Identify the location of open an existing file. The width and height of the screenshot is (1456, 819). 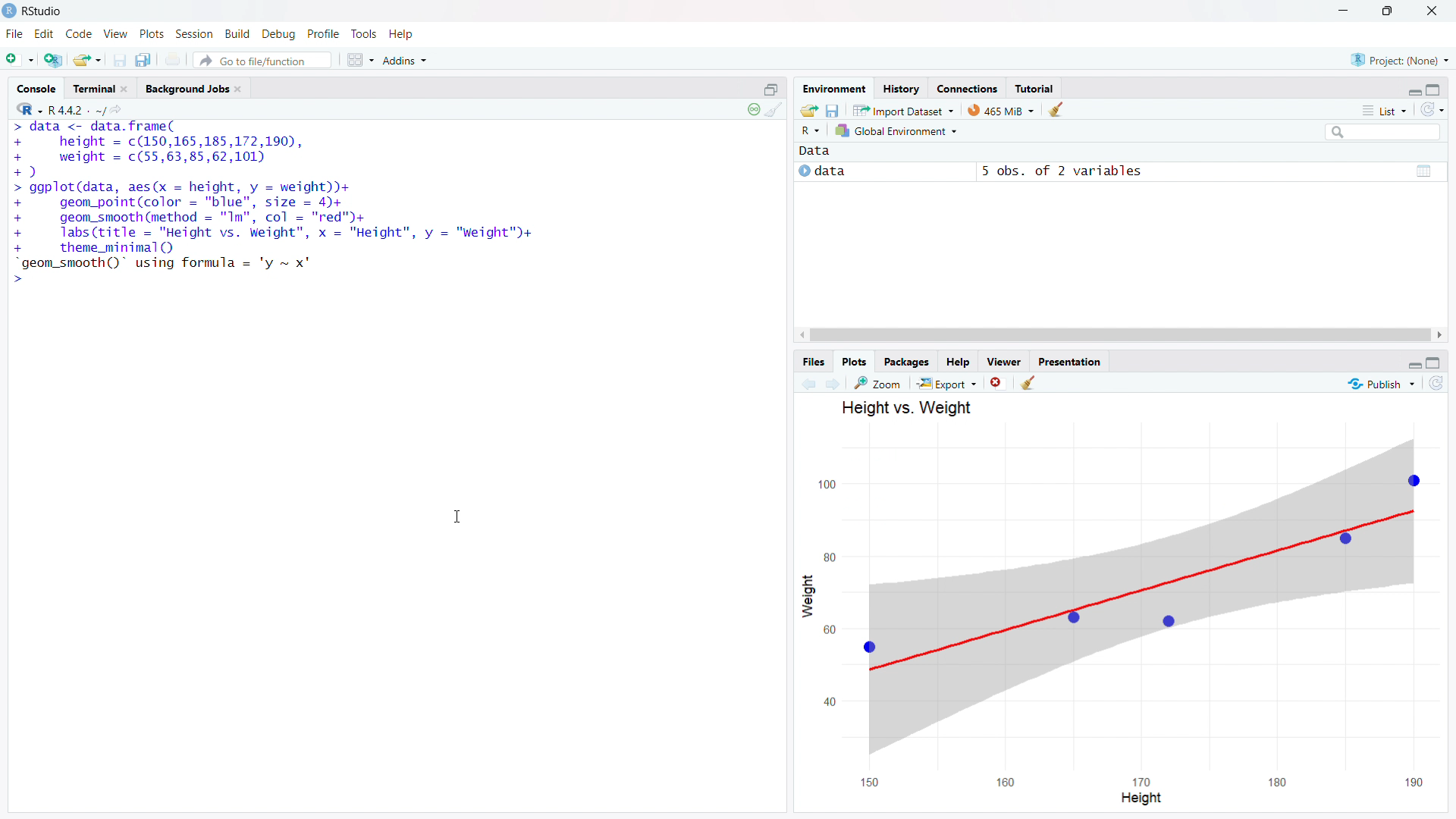
(88, 59).